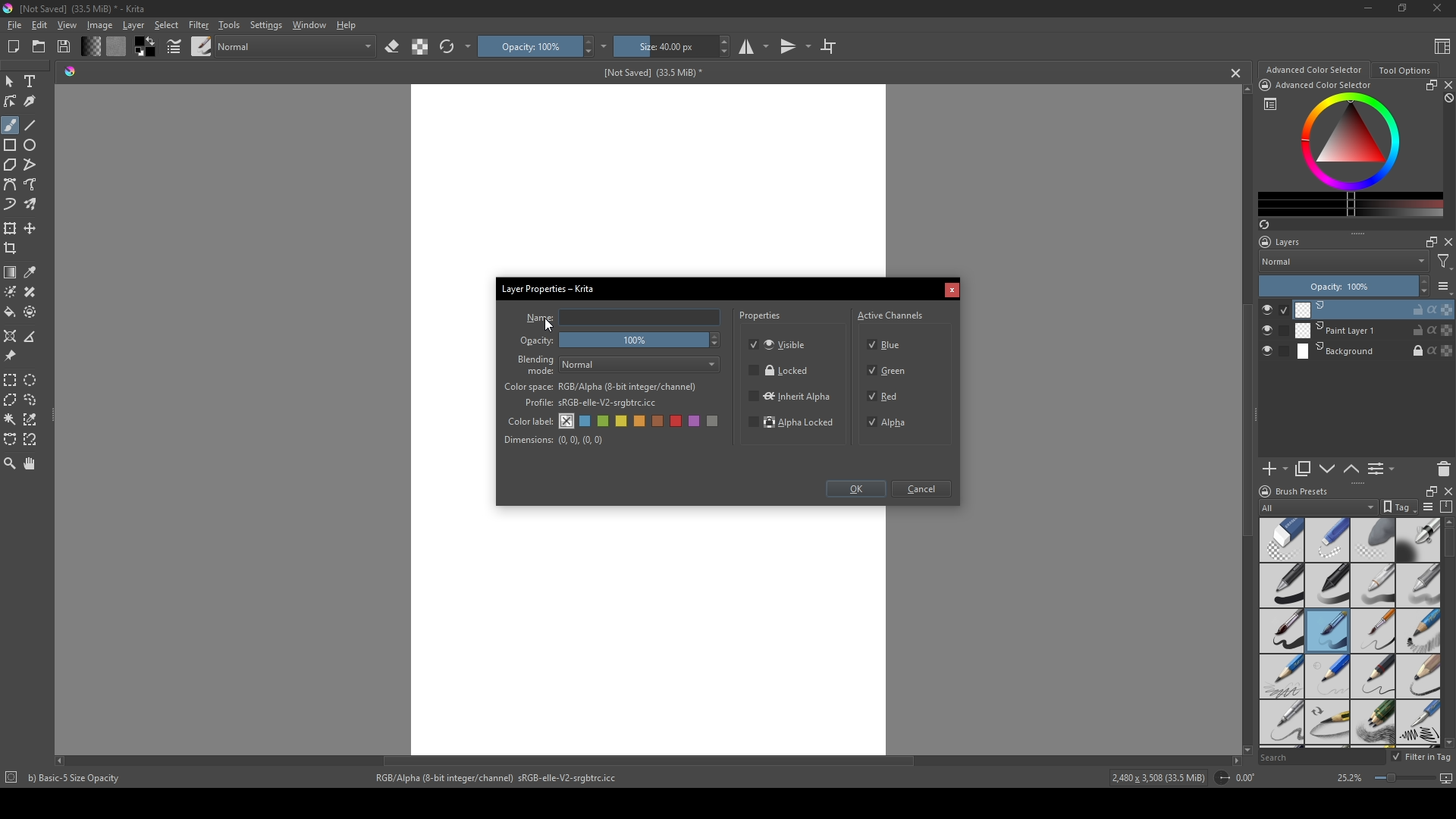  What do you see at coordinates (1348, 779) in the screenshot?
I see `25.2%` at bounding box center [1348, 779].